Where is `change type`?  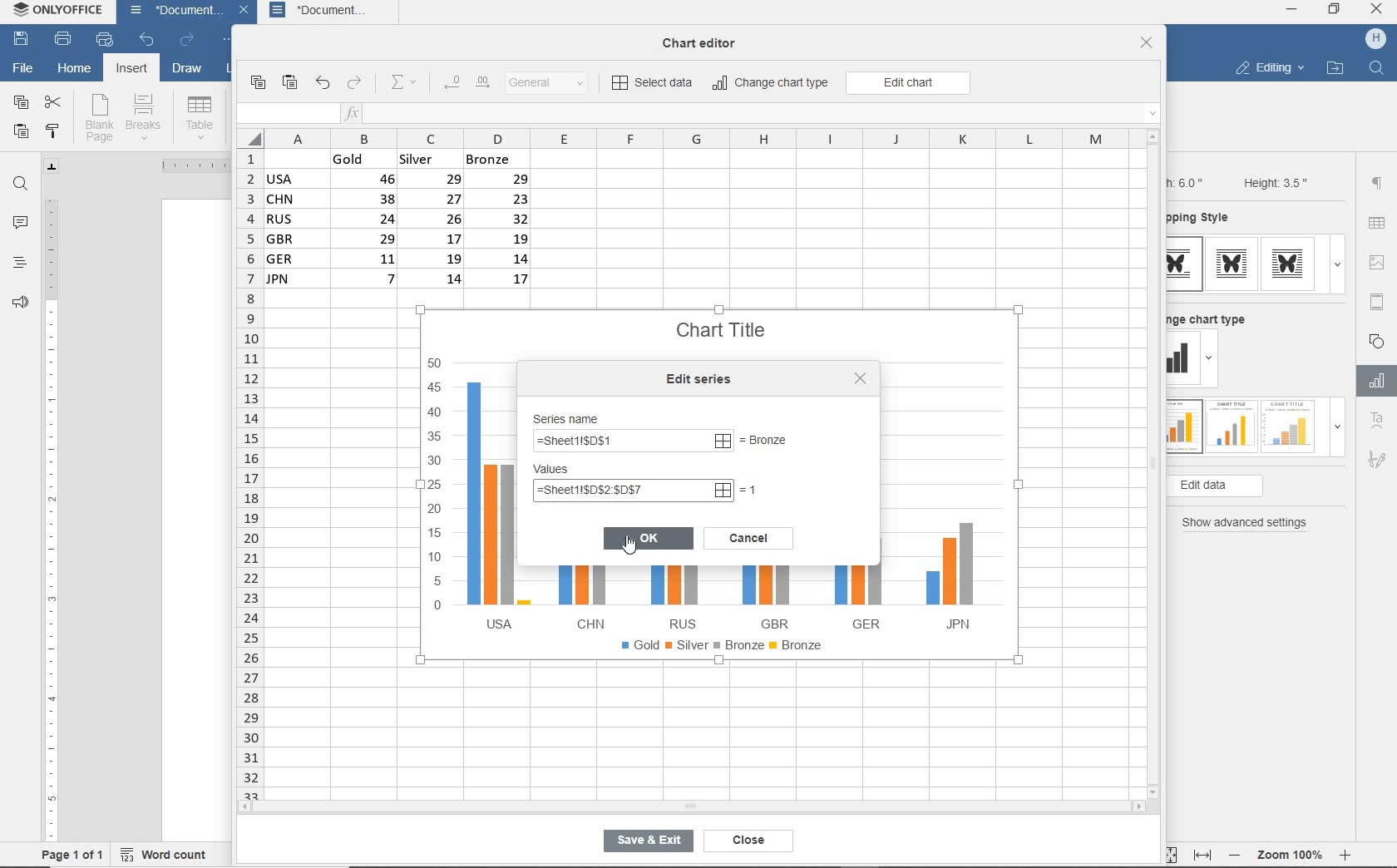
change type is located at coordinates (1183, 359).